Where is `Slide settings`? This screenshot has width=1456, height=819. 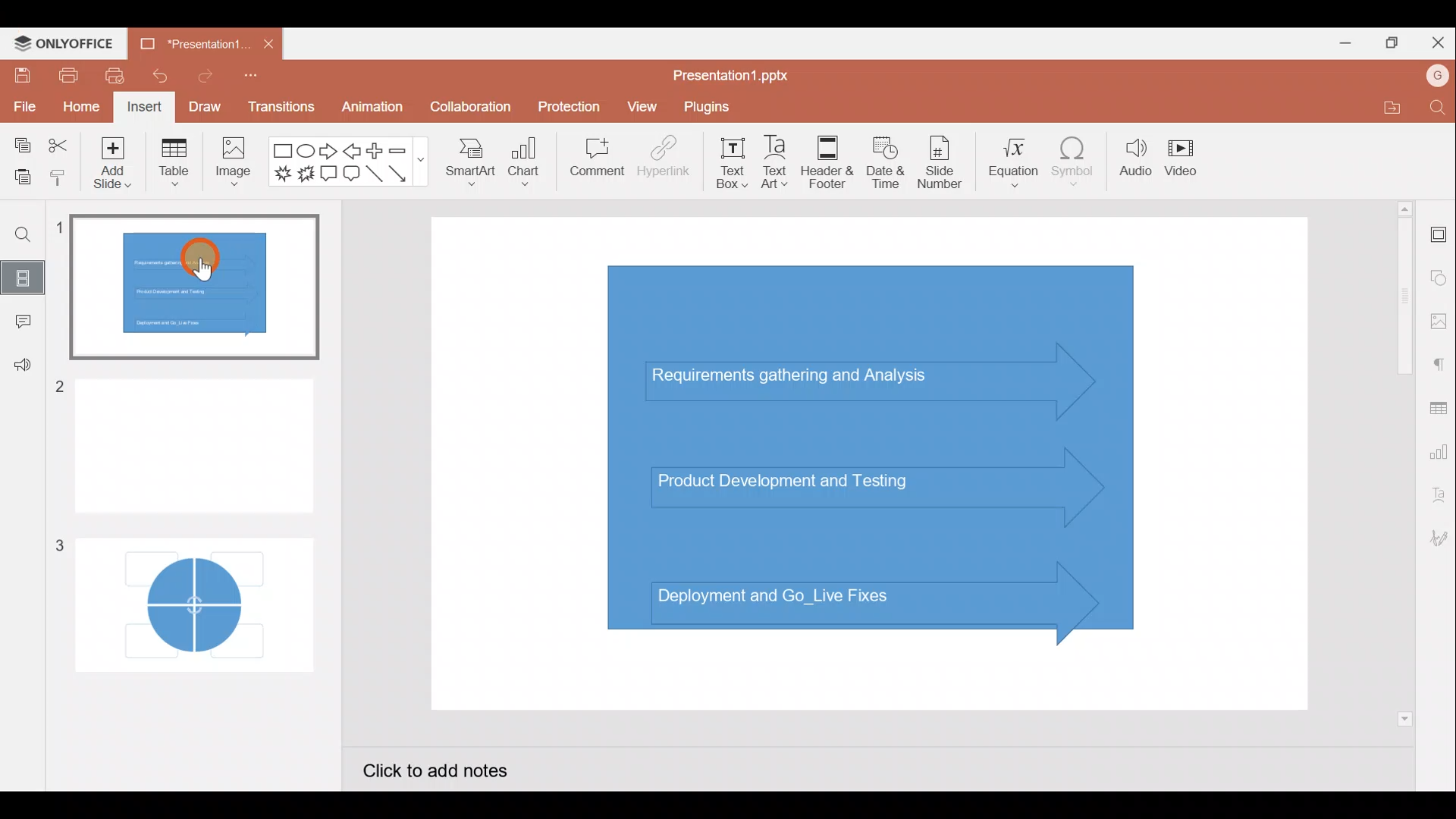
Slide settings is located at coordinates (1437, 236).